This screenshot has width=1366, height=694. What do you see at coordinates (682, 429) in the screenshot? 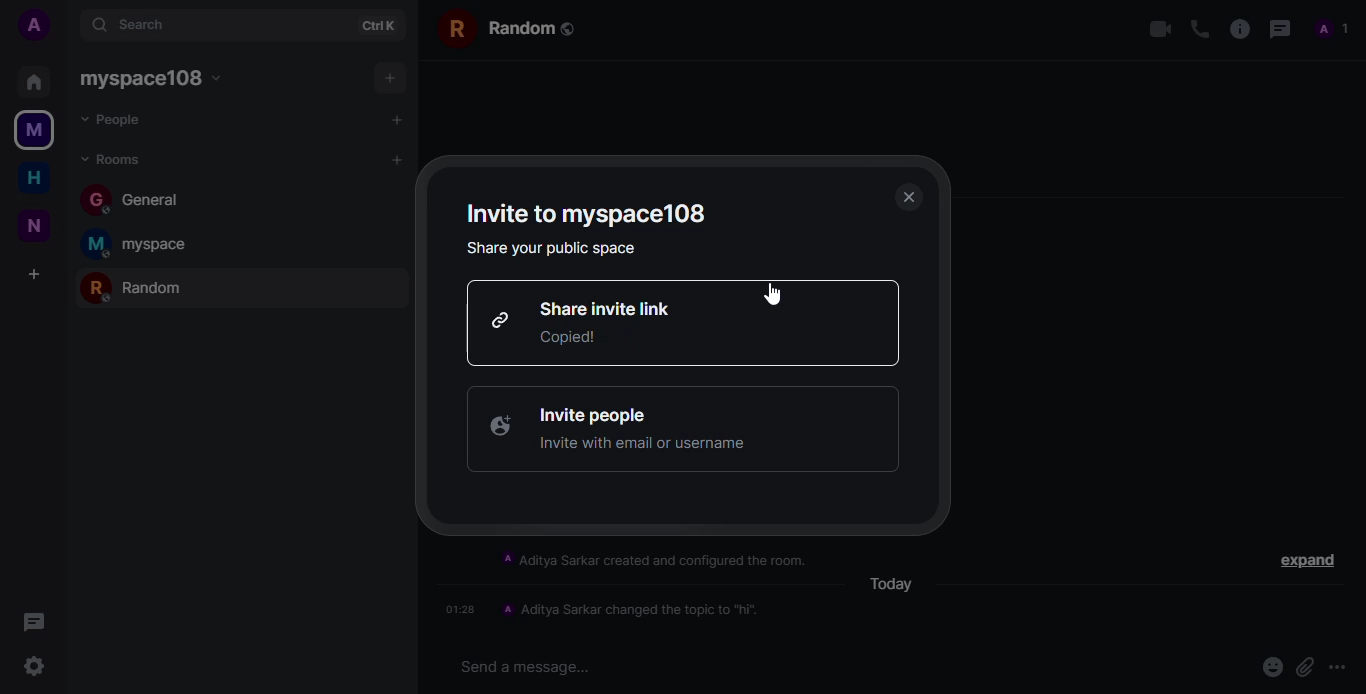
I see `invite people` at bounding box center [682, 429].